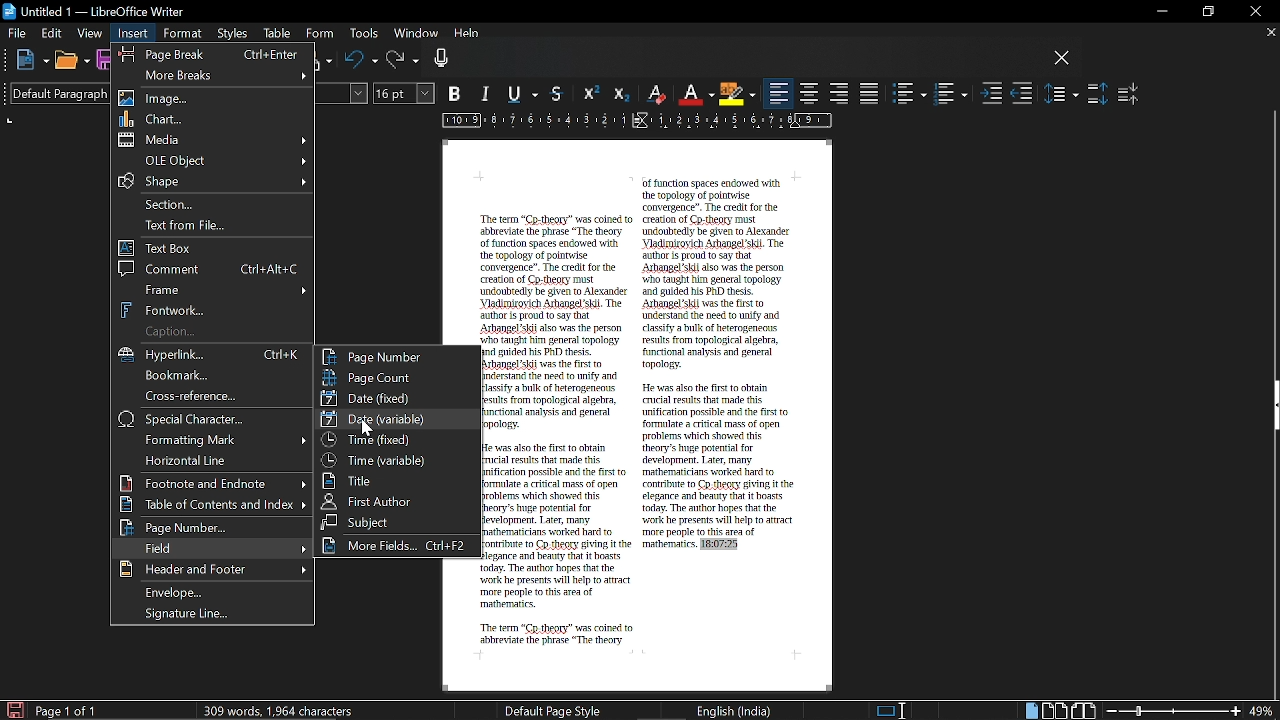 The height and width of the screenshot is (720, 1280). I want to click on Table, so click(277, 35).